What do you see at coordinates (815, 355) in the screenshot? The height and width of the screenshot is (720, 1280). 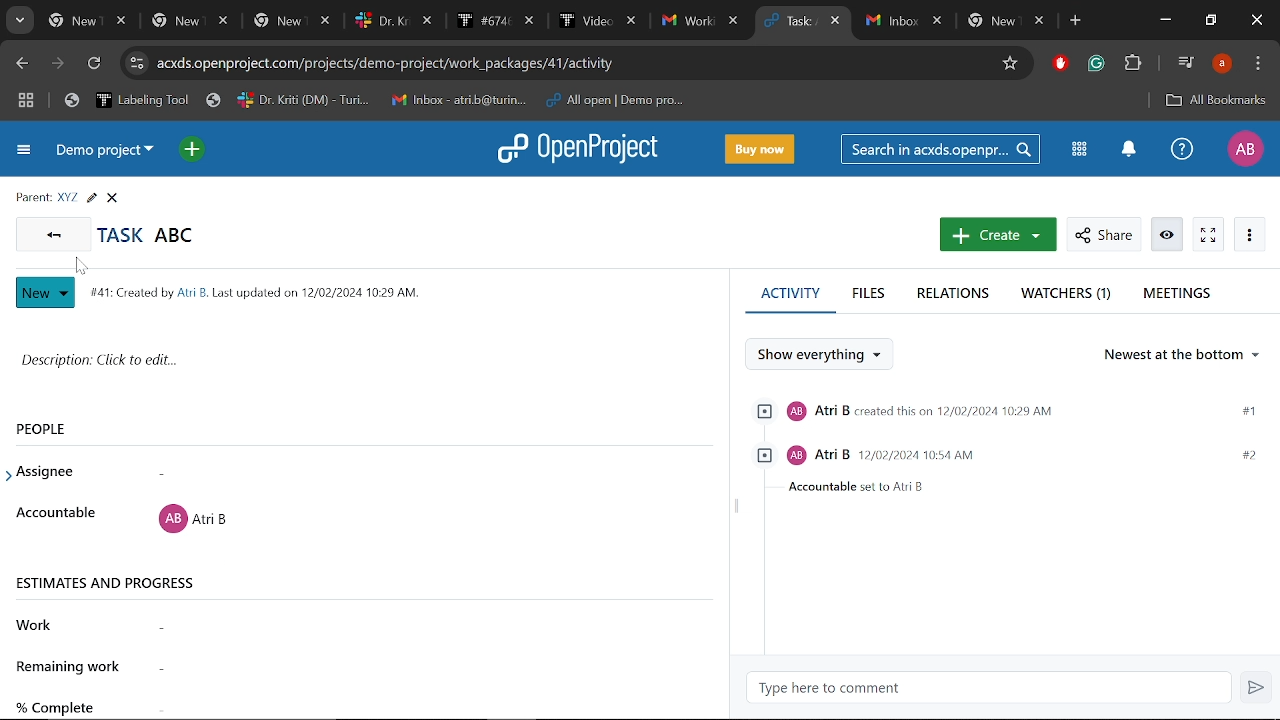 I see `Show everything` at bounding box center [815, 355].